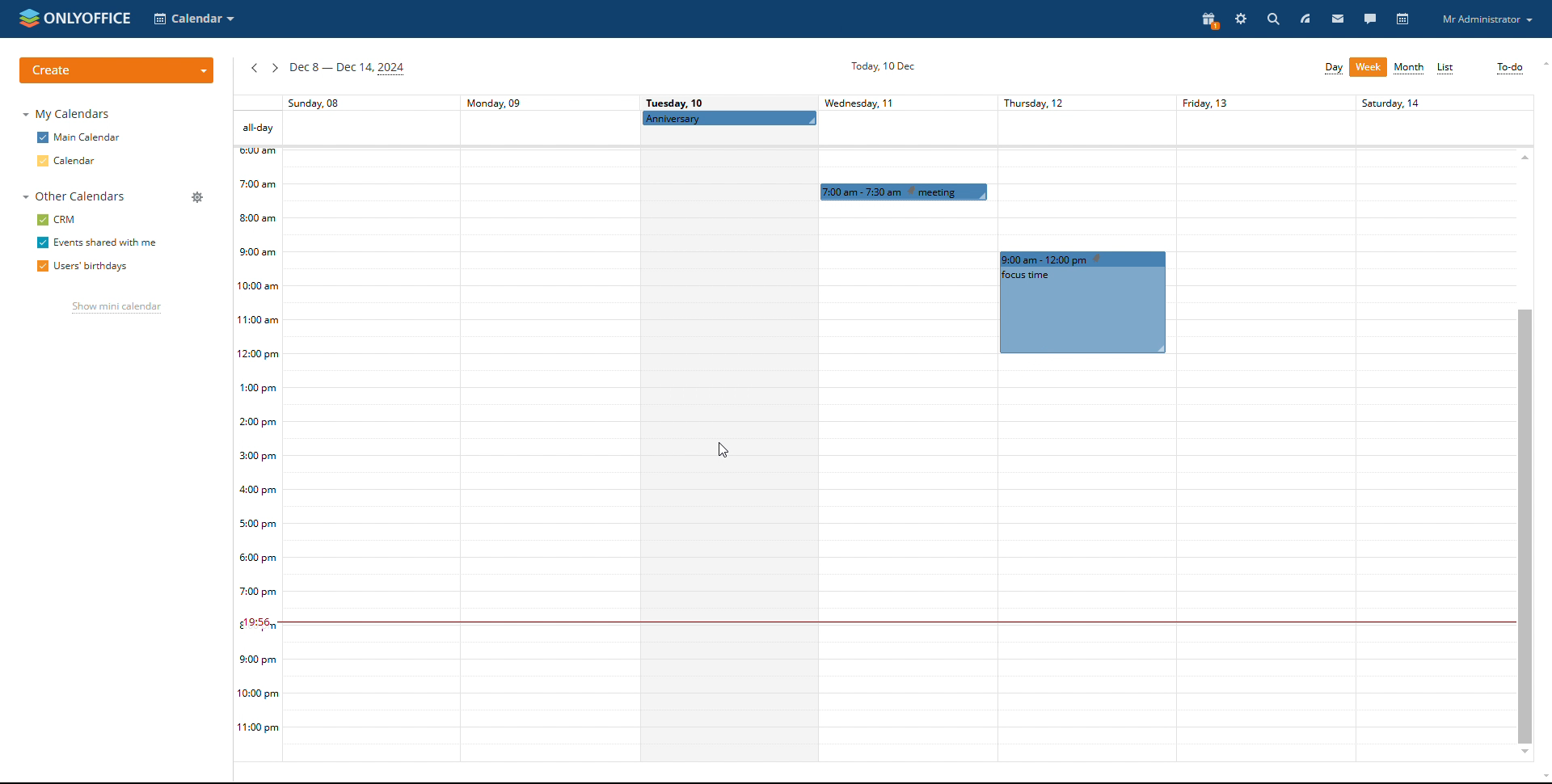  What do you see at coordinates (72, 196) in the screenshot?
I see `other calendars` at bounding box center [72, 196].